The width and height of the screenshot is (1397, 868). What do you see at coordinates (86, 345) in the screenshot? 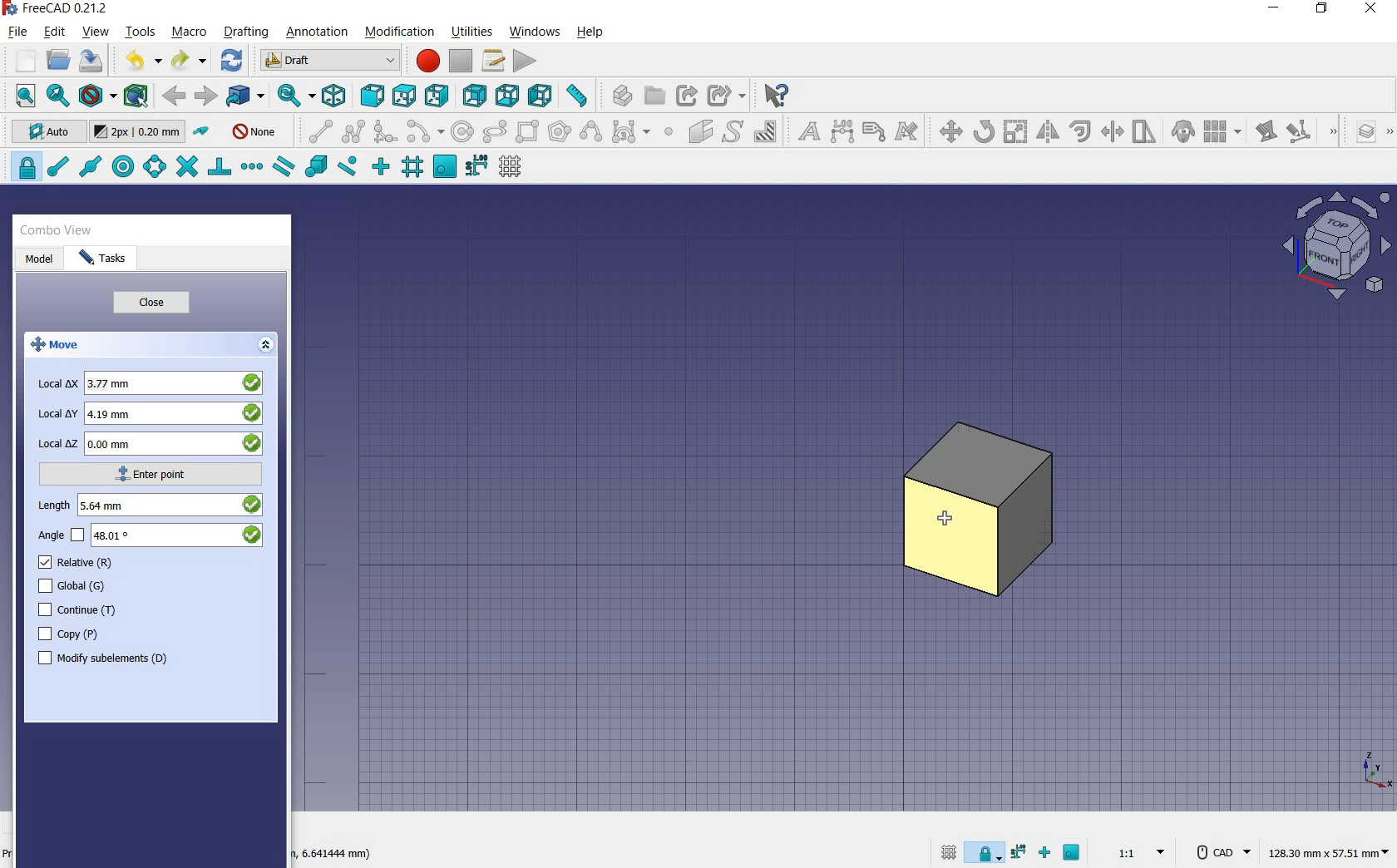
I see `move` at bounding box center [86, 345].